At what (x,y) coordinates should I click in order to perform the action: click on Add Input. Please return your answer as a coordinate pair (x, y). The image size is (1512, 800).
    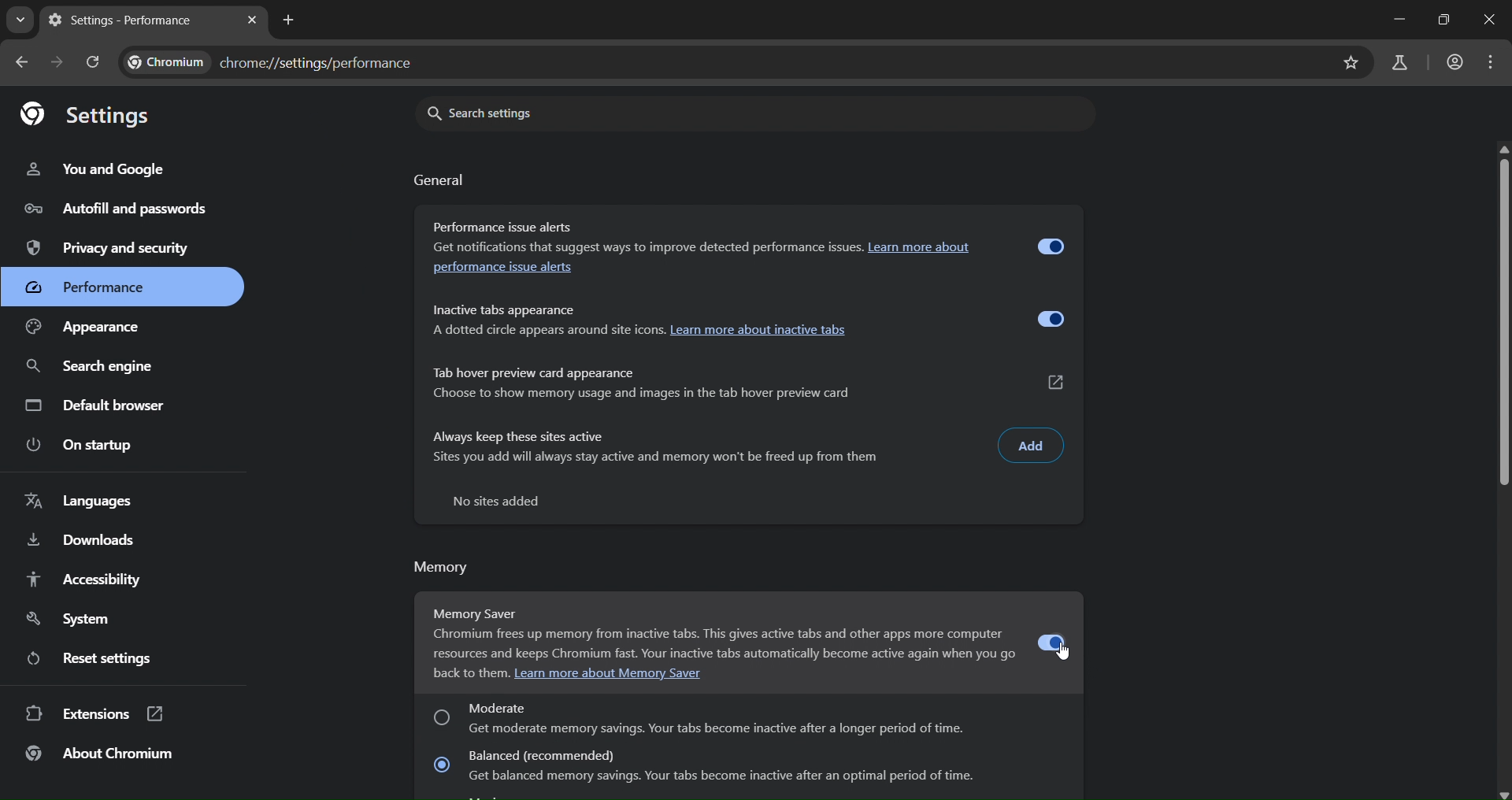
    Looking at the image, I should click on (1032, 447).